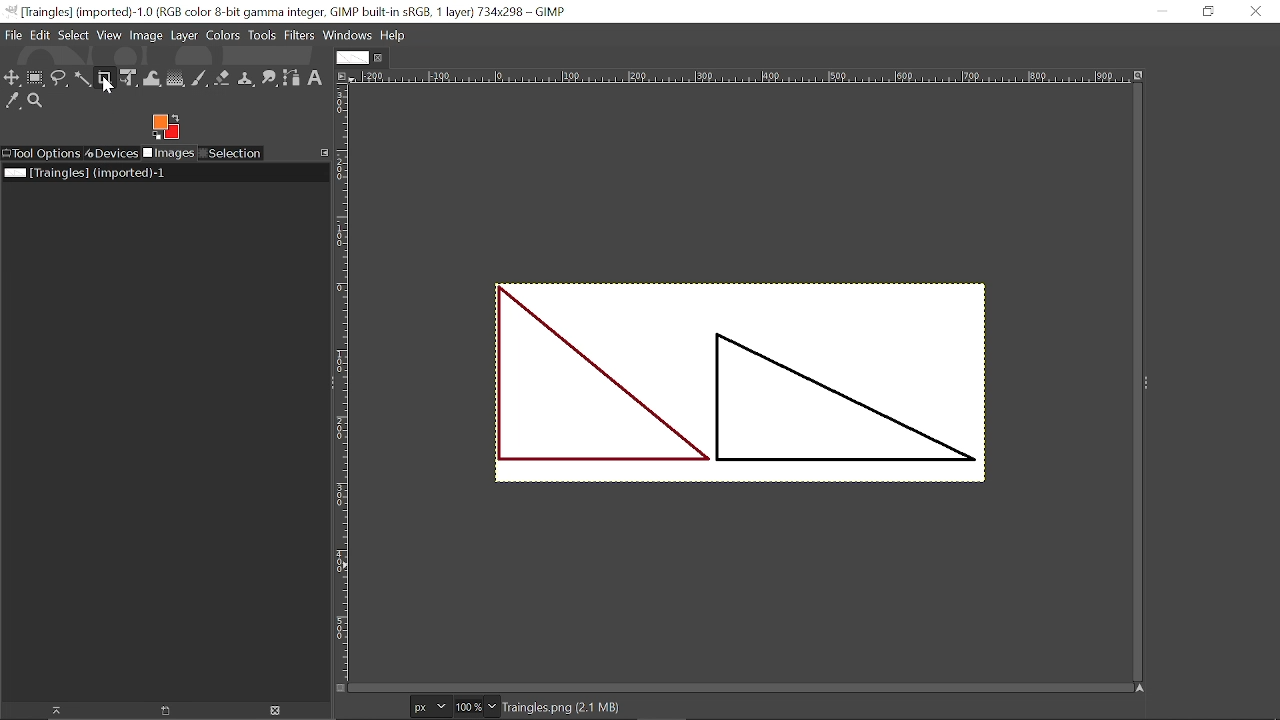 This screenshot has height=720, width=1280. Describe the element at coordinates (315, 79) in the screenshot. I see `Text tool` at that location.